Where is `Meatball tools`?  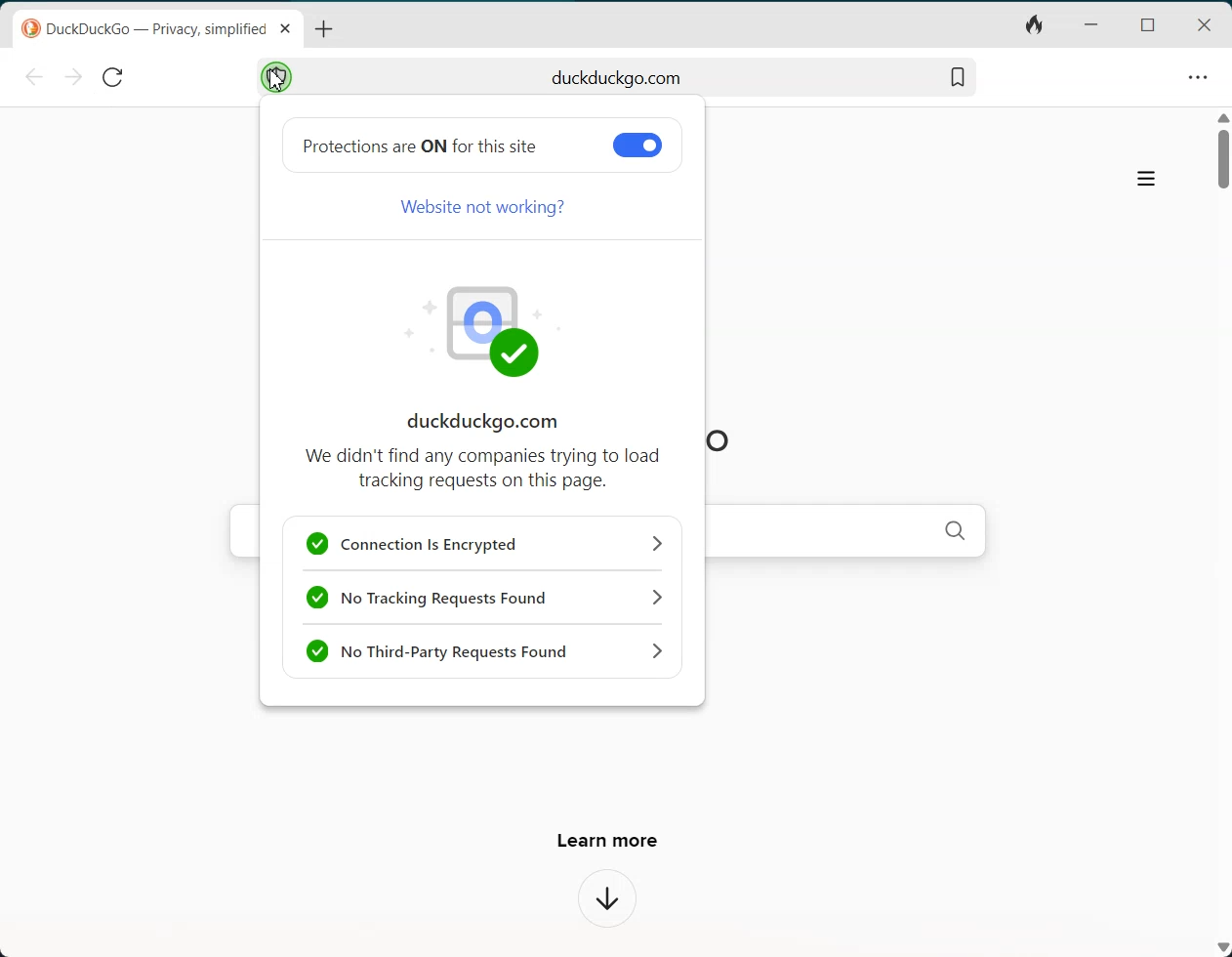 Meatball tools is located at coordinates (1197, 76).